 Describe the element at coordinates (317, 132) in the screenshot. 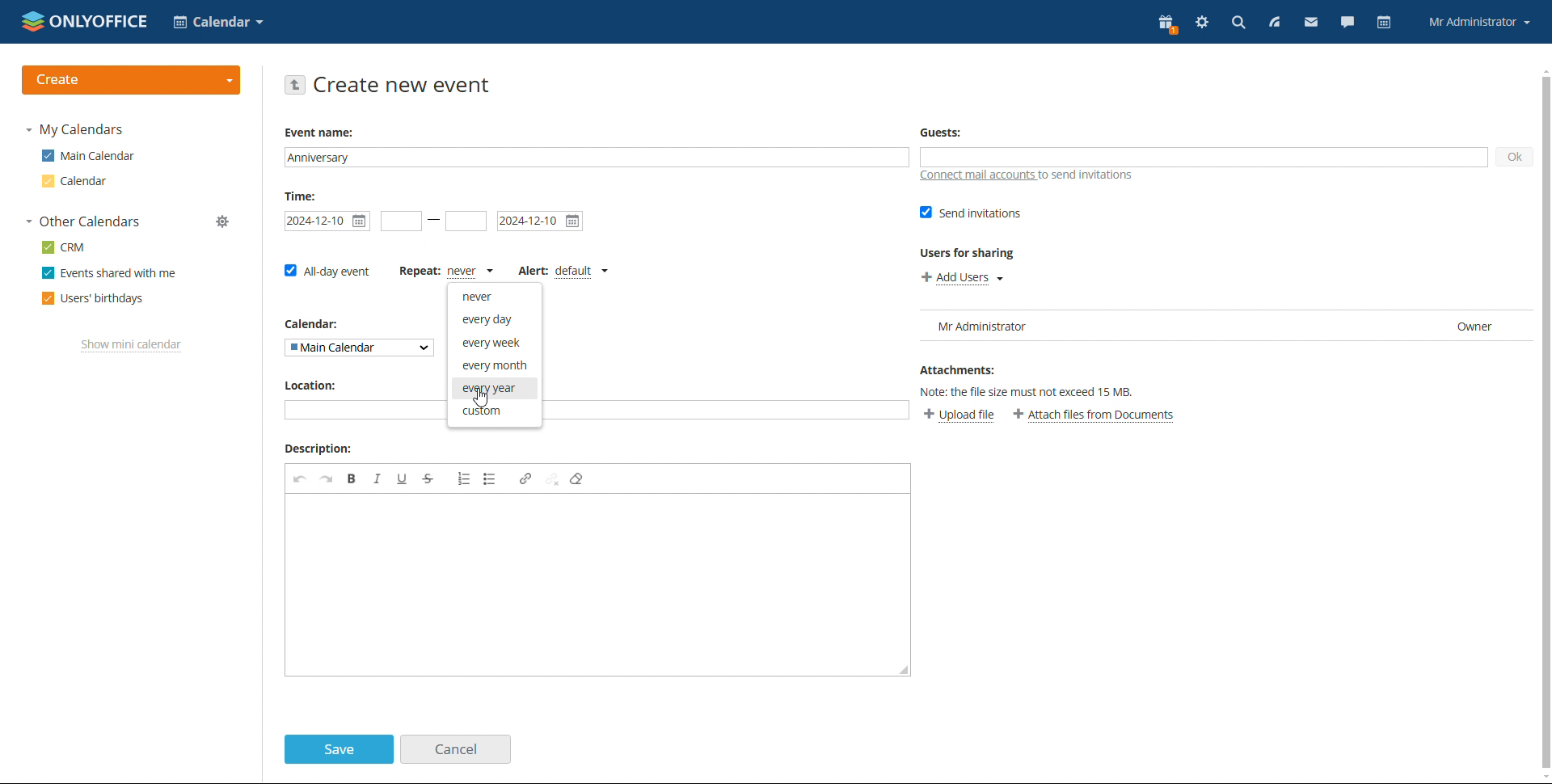

I see `Event name:` at that location.